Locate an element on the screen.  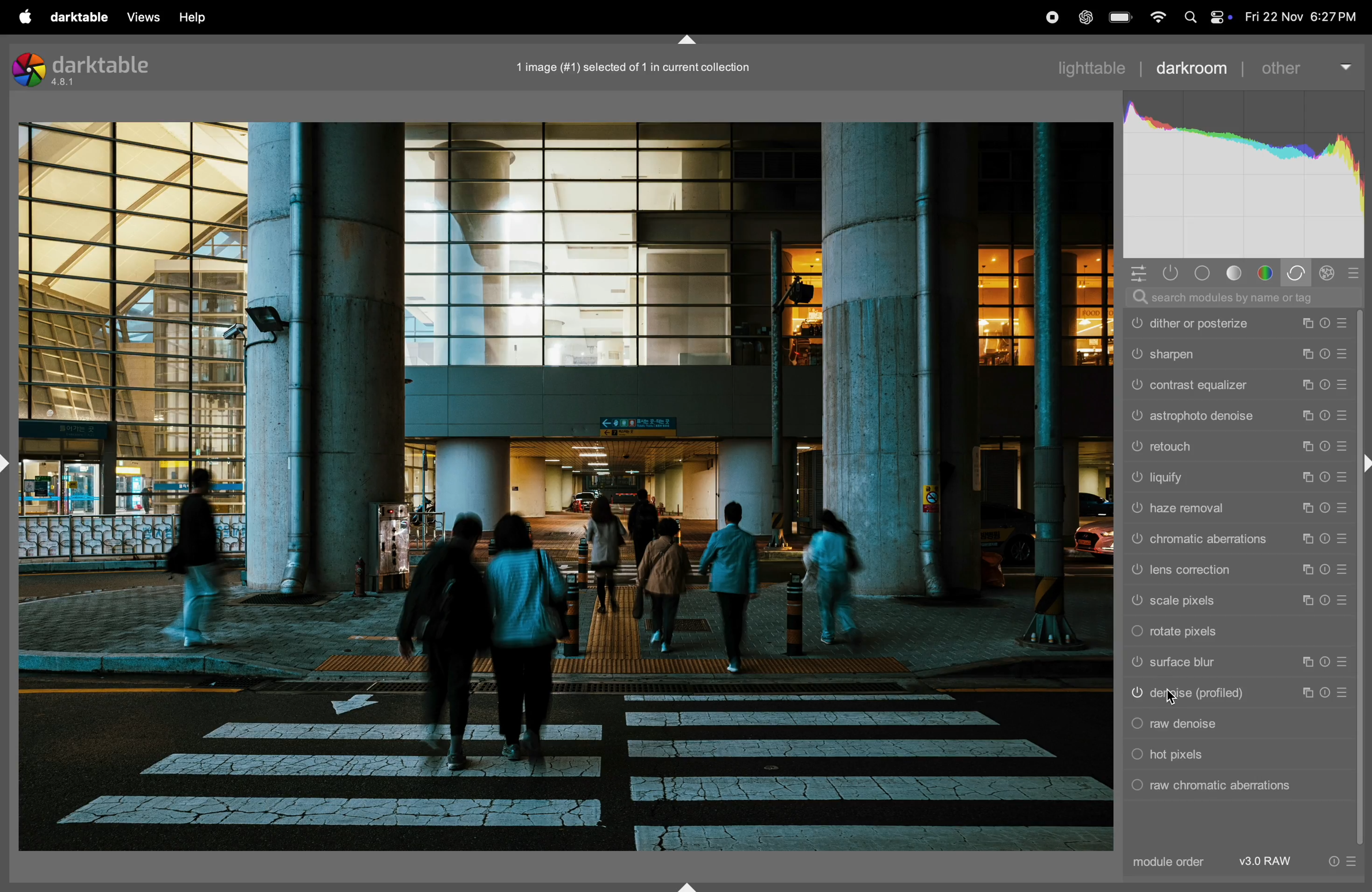
apple widgets is located at coordinates (1220, 18).